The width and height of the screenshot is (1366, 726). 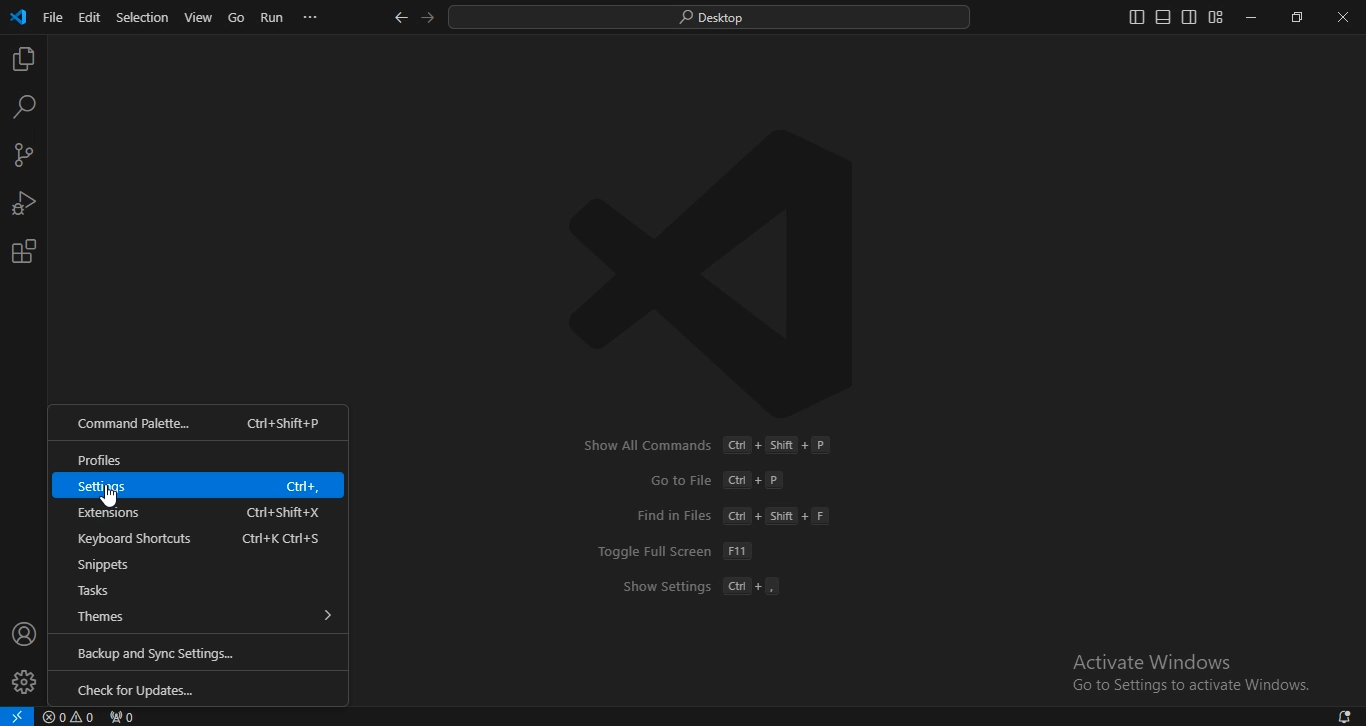 What do you see at coordinates (402, 19) in the screenshot?
I see `go back` at bounding box center [402, 19].